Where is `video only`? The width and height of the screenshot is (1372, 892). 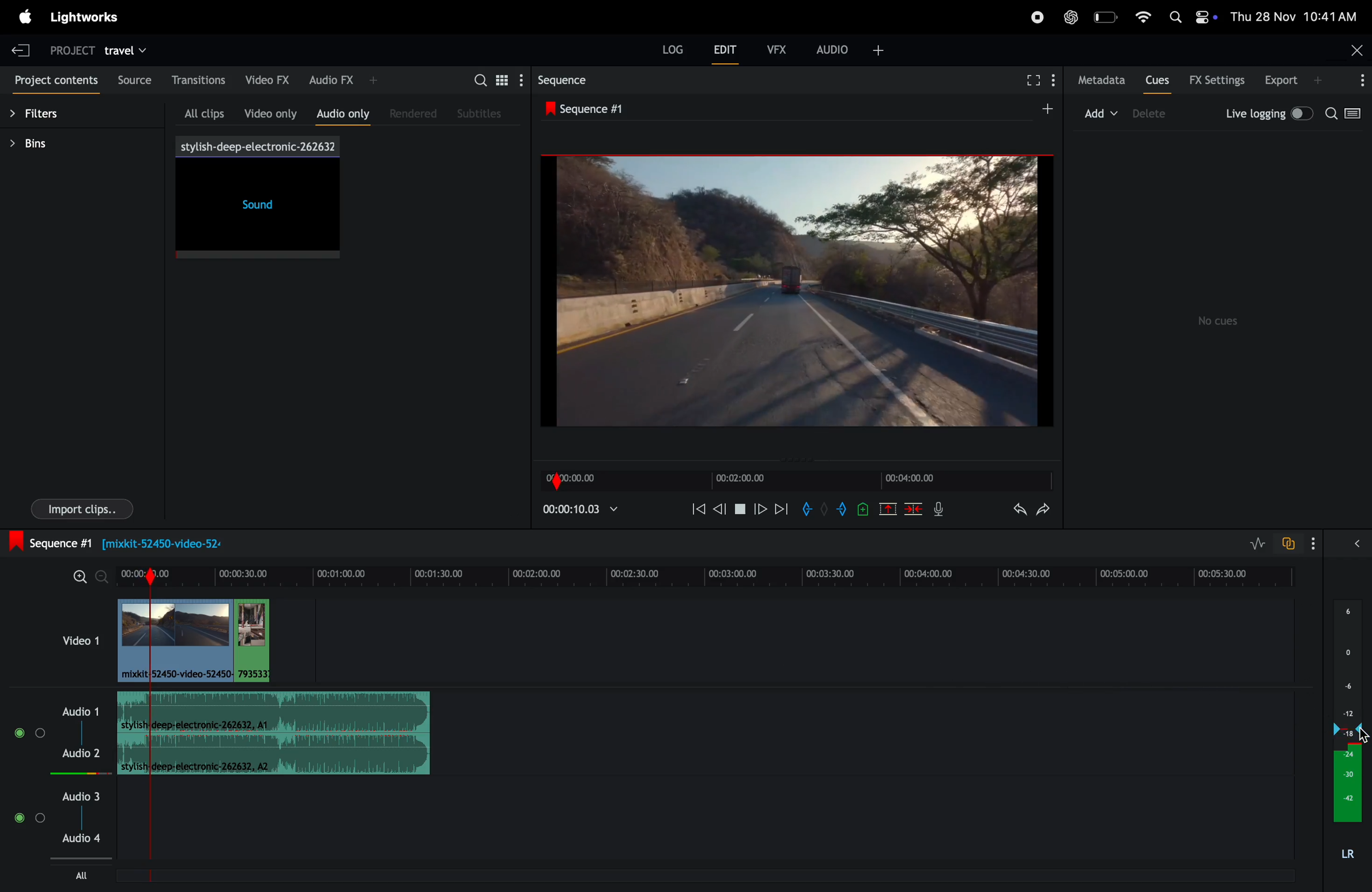 video only is located at coordinates (266, 111).